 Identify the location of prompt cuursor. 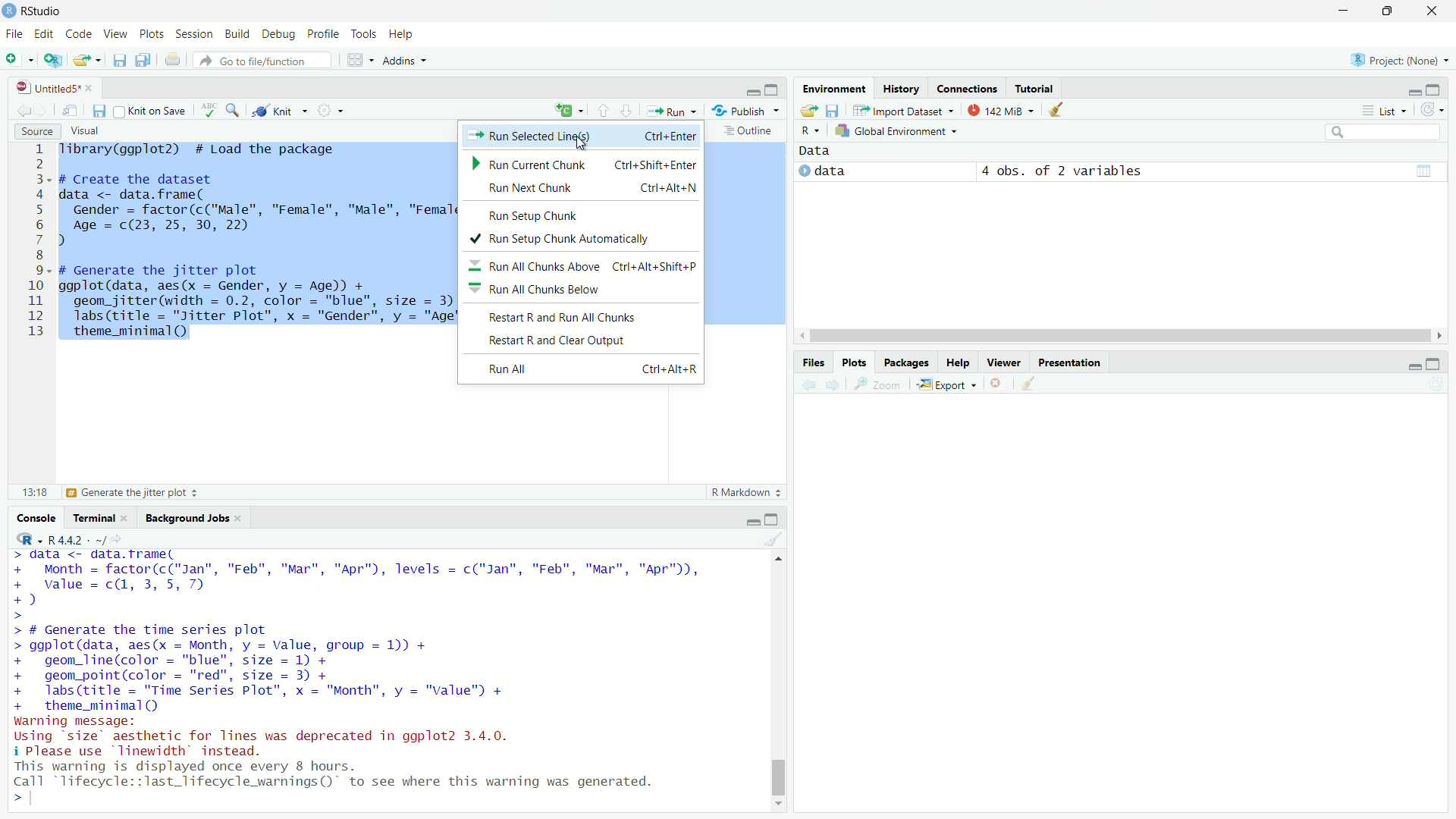
(15, 616).